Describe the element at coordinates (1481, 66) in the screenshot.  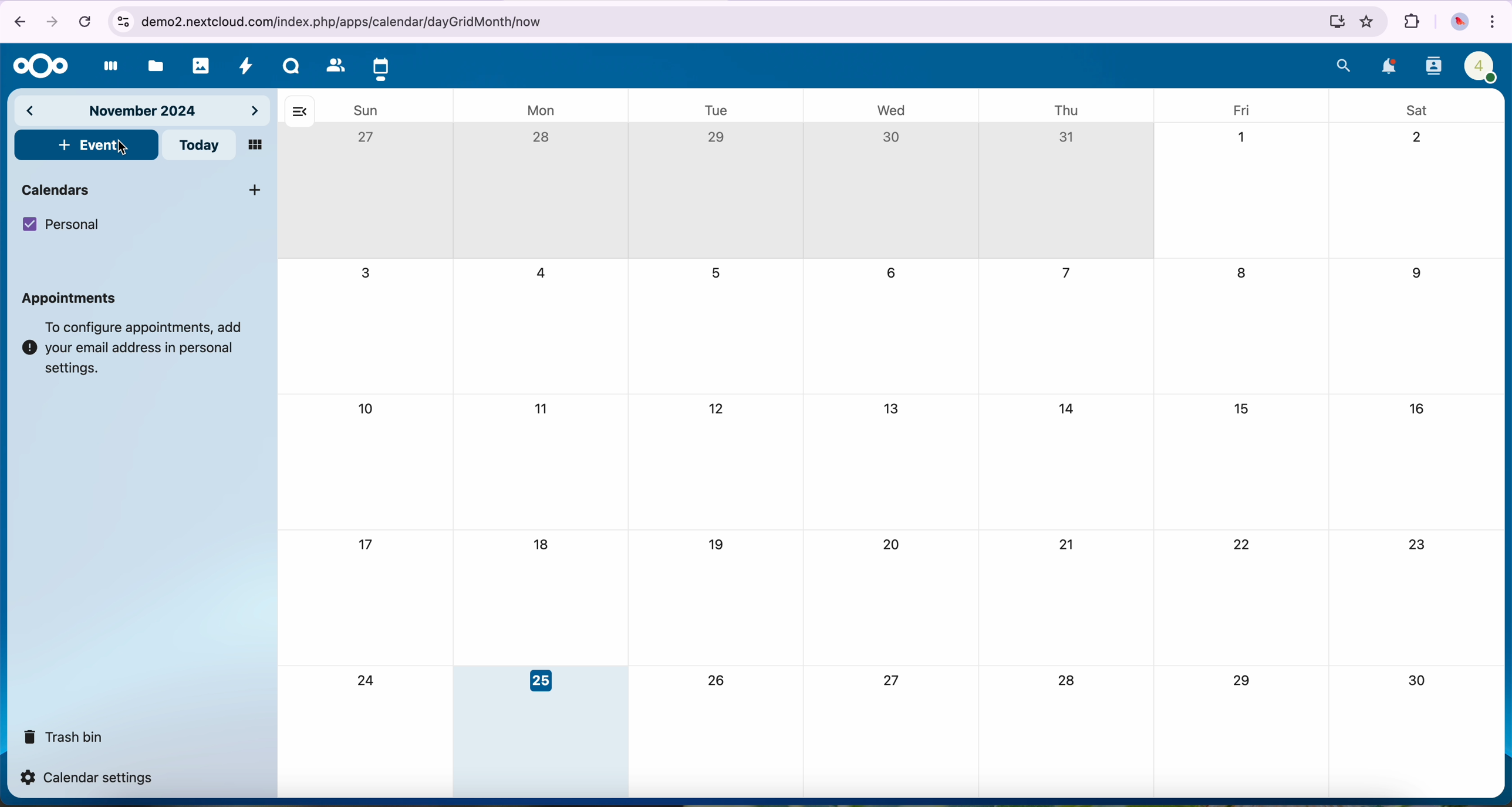
I see `profile` at that location.